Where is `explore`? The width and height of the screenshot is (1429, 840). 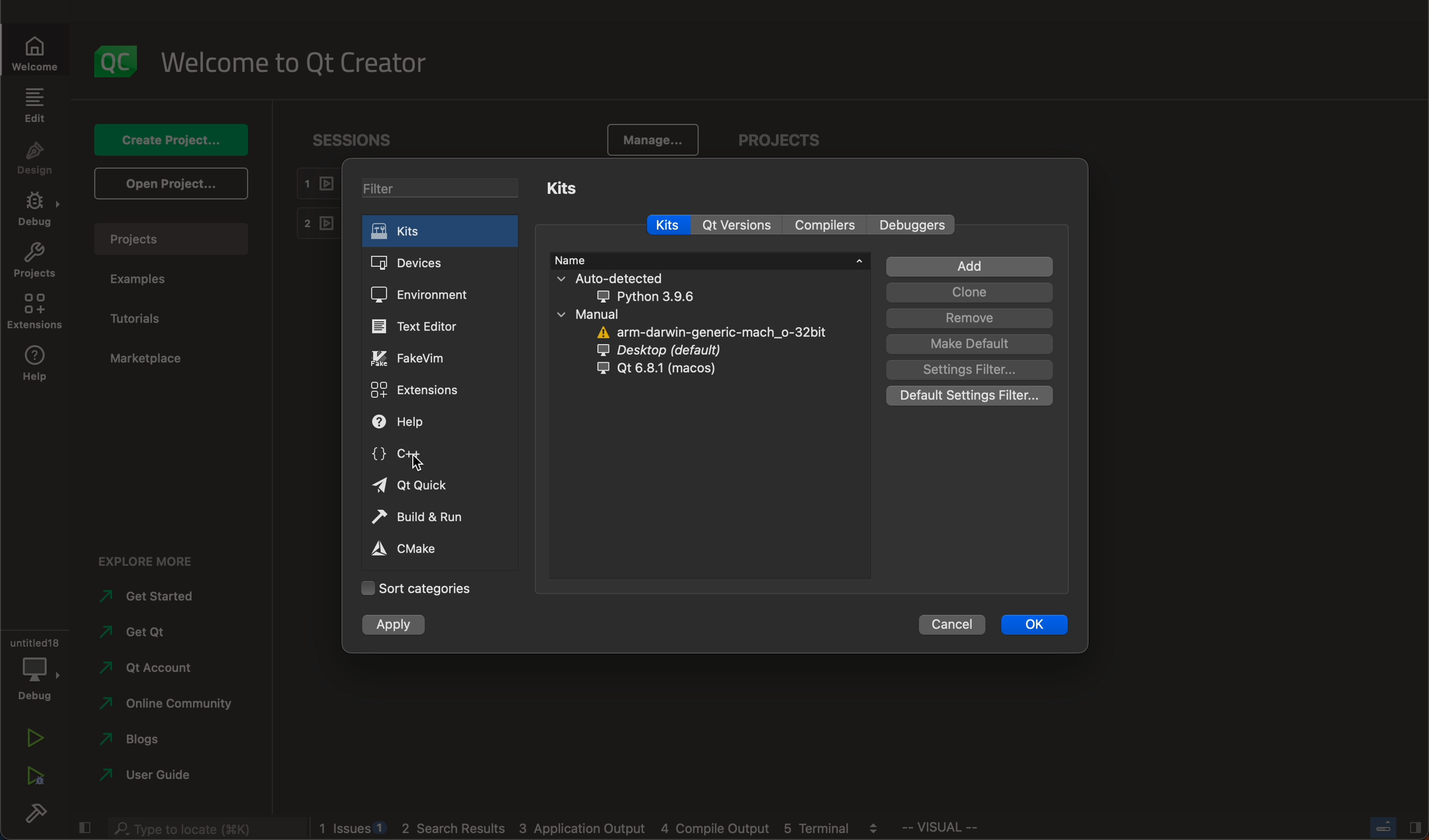
explore is located at coordinates (155, 558).